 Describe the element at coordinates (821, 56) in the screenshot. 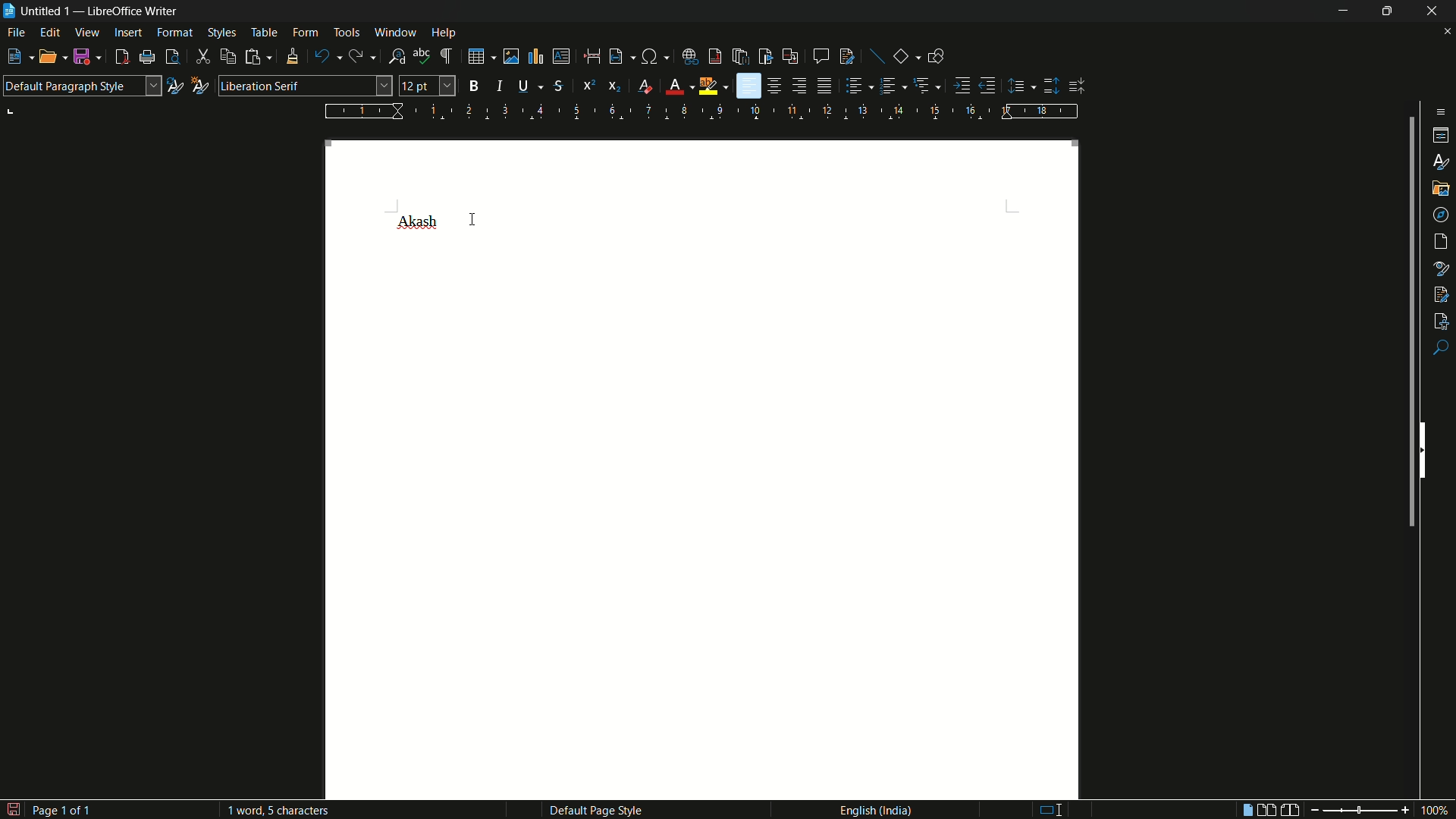

I see `insert comment` at that location.